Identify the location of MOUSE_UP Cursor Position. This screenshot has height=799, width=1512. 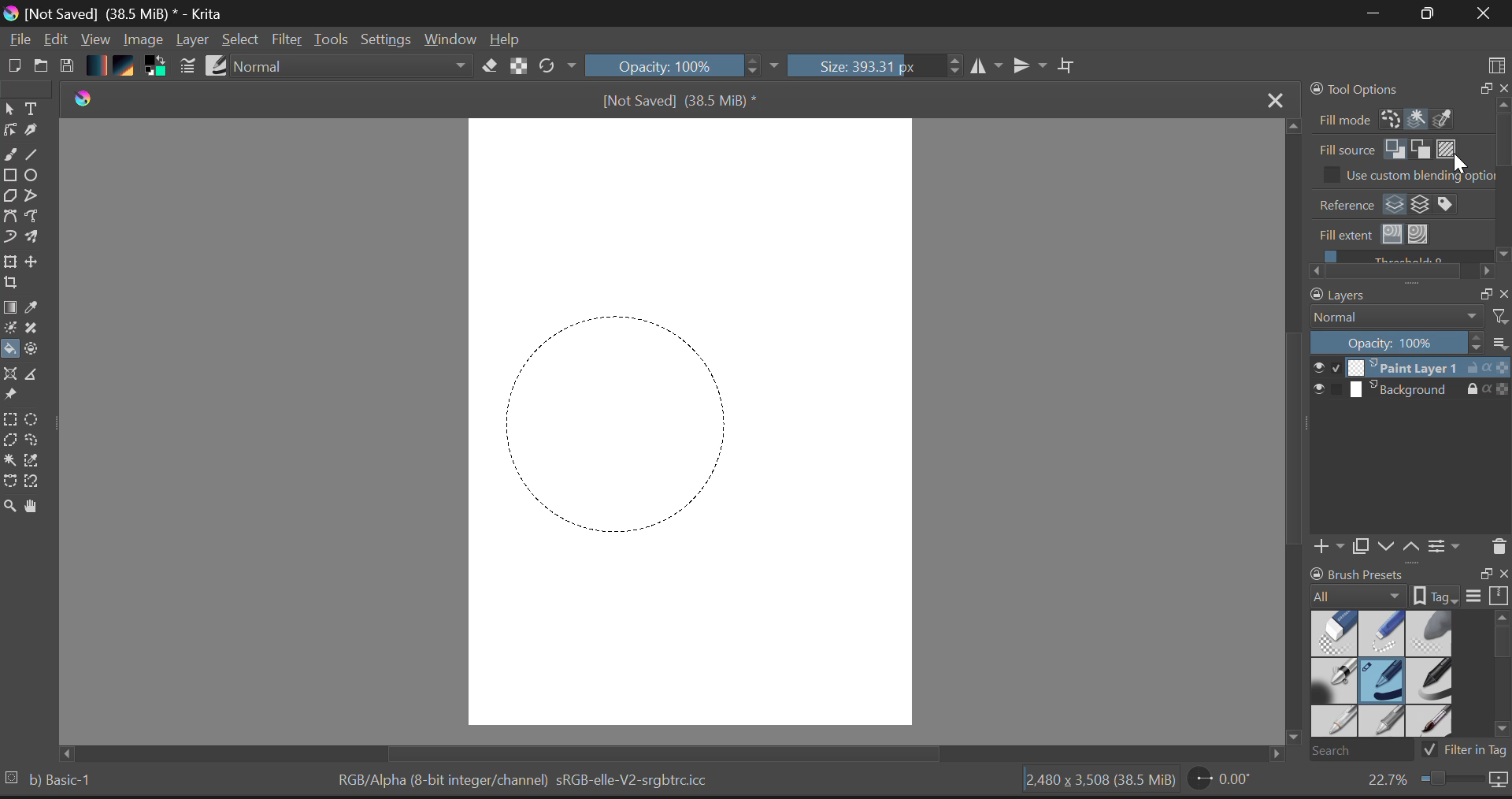
(734, 541).